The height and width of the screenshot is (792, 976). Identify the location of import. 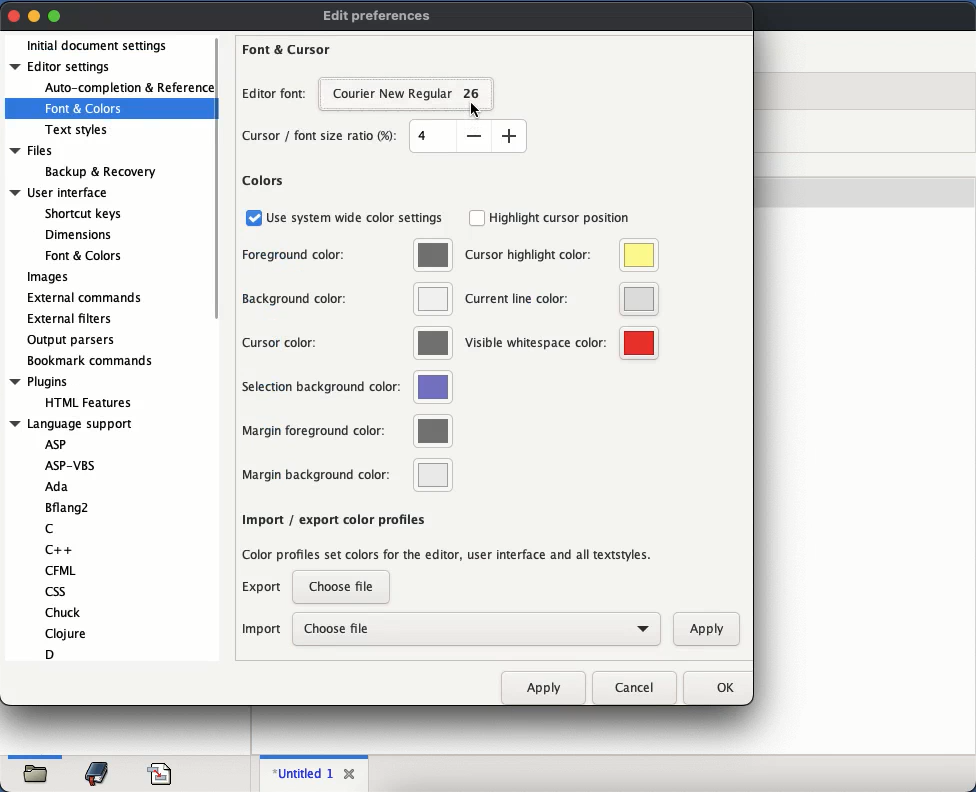
(261, 629).